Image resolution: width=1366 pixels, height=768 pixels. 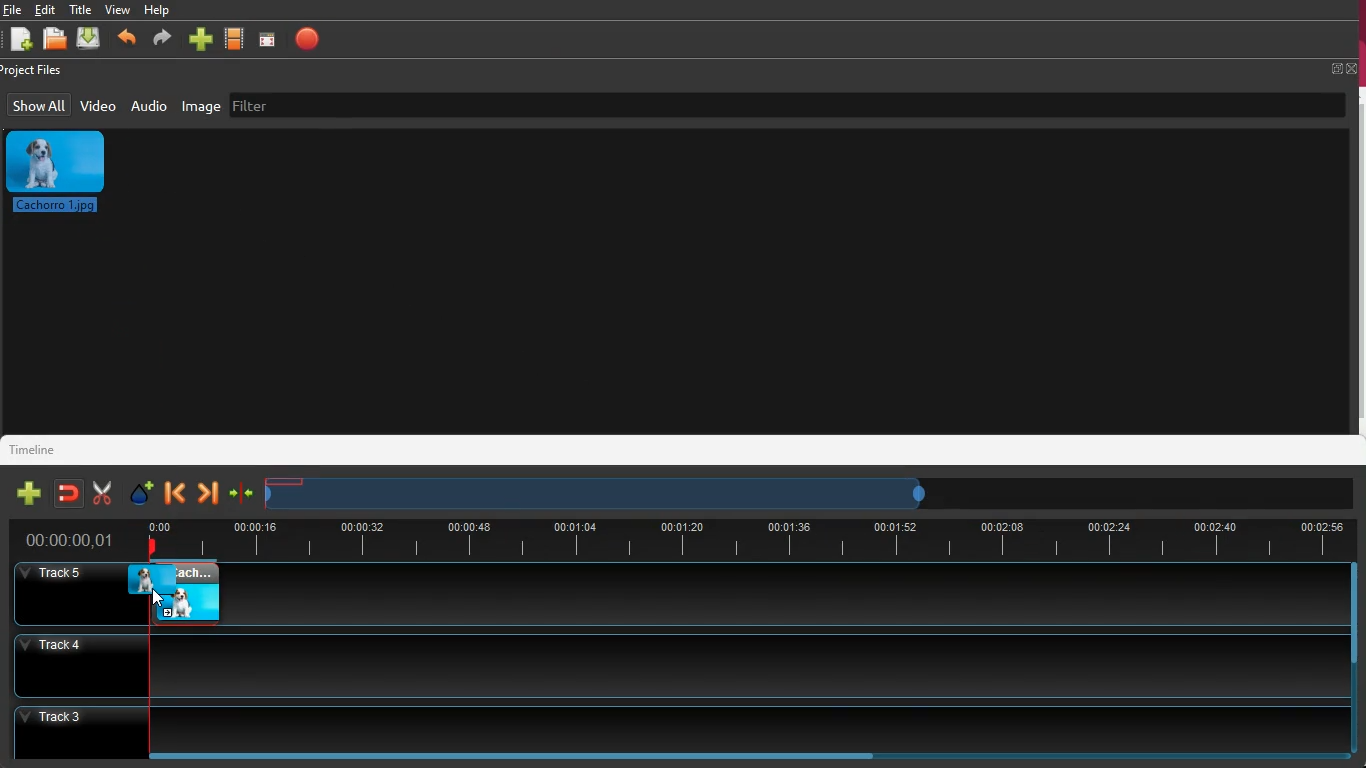 What do you see at coordinates (260, 105) in the screenshot?
I see `filter` at bounding box center [260, 105].